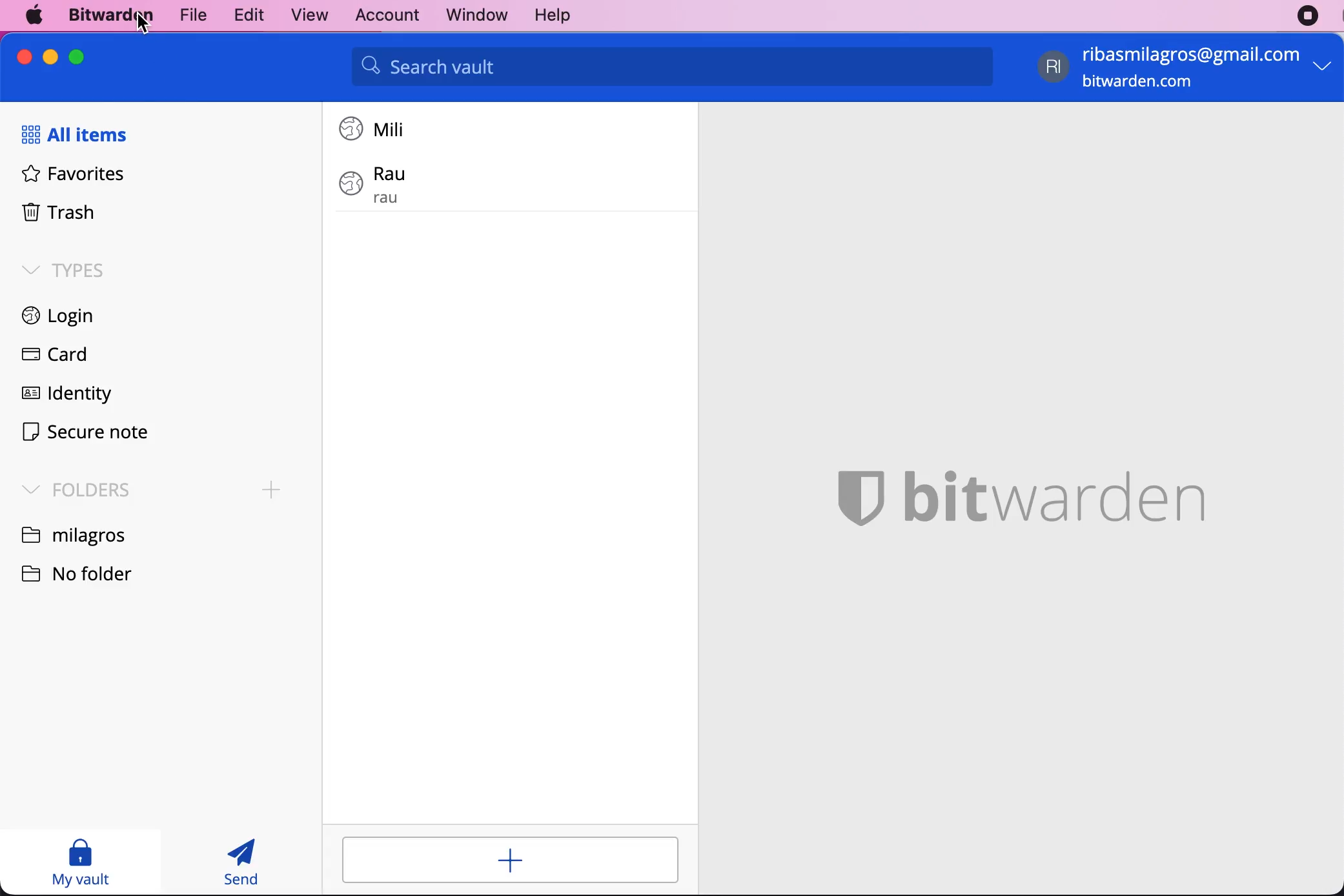  What do you see at coordinates (190, 14) in the screenshot?
I see `file` at bounding box center [190, 14].